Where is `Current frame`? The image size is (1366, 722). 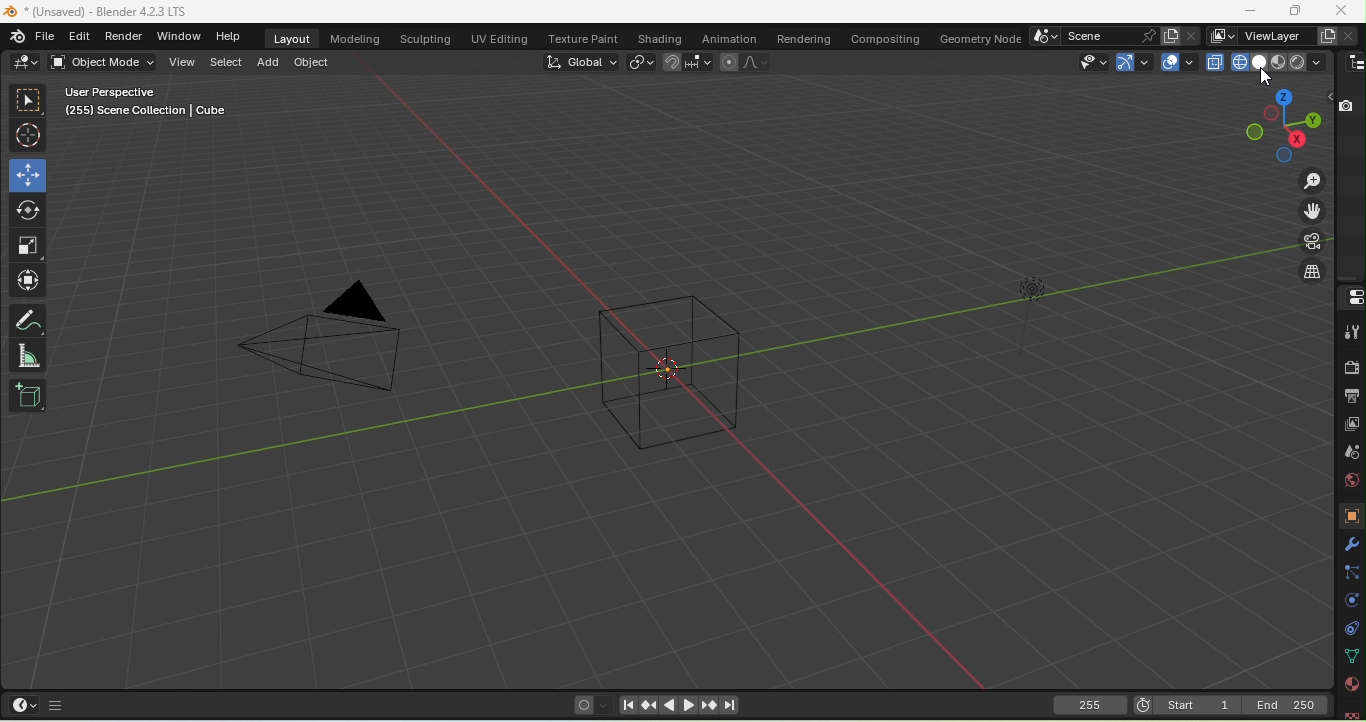
Current frame is located at coordinates (1090, 708).